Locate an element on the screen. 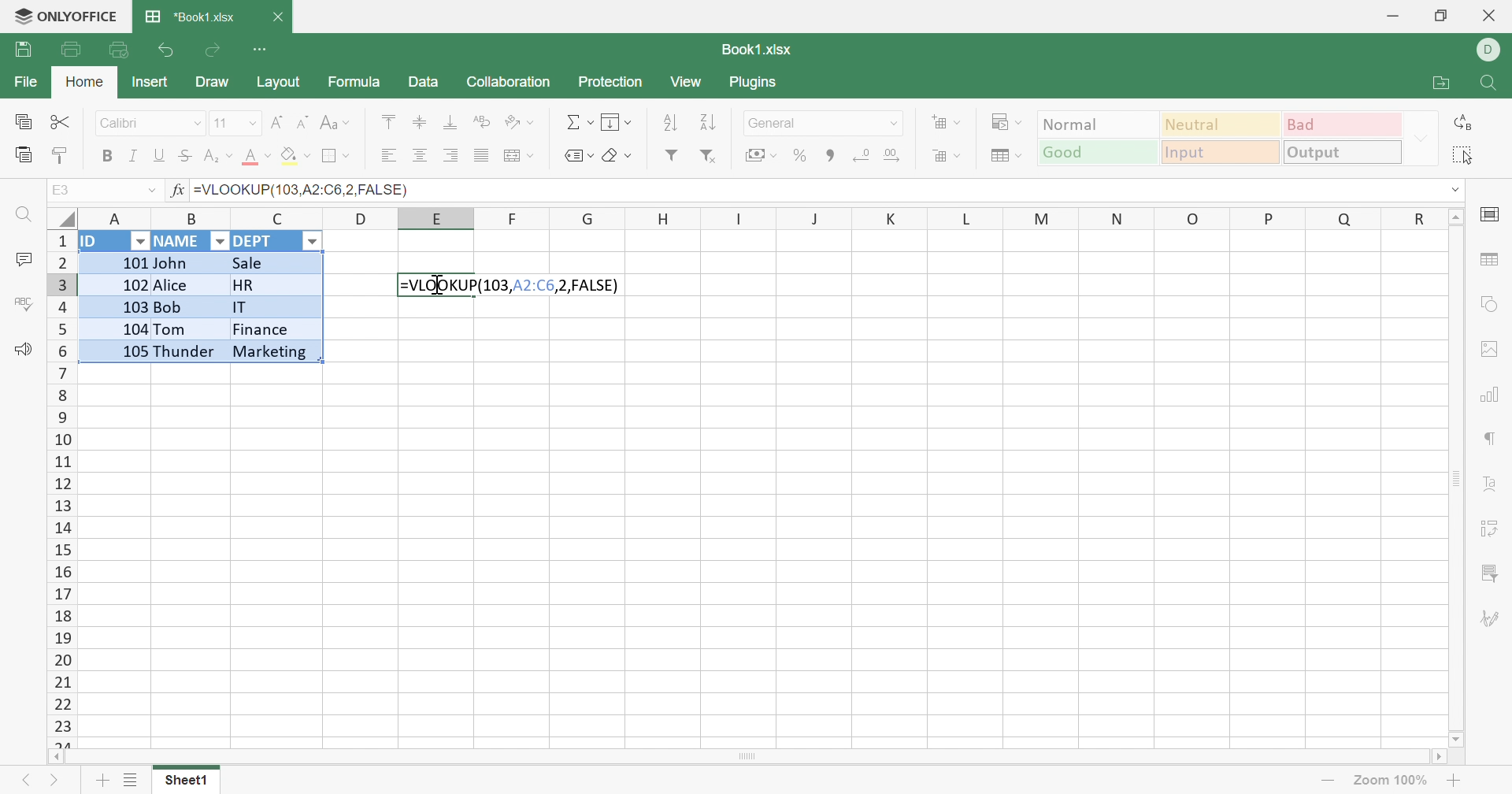 Image resolution: width=1512 pixels, height=794 pixels. Cut is located at coordinates (63, 122).